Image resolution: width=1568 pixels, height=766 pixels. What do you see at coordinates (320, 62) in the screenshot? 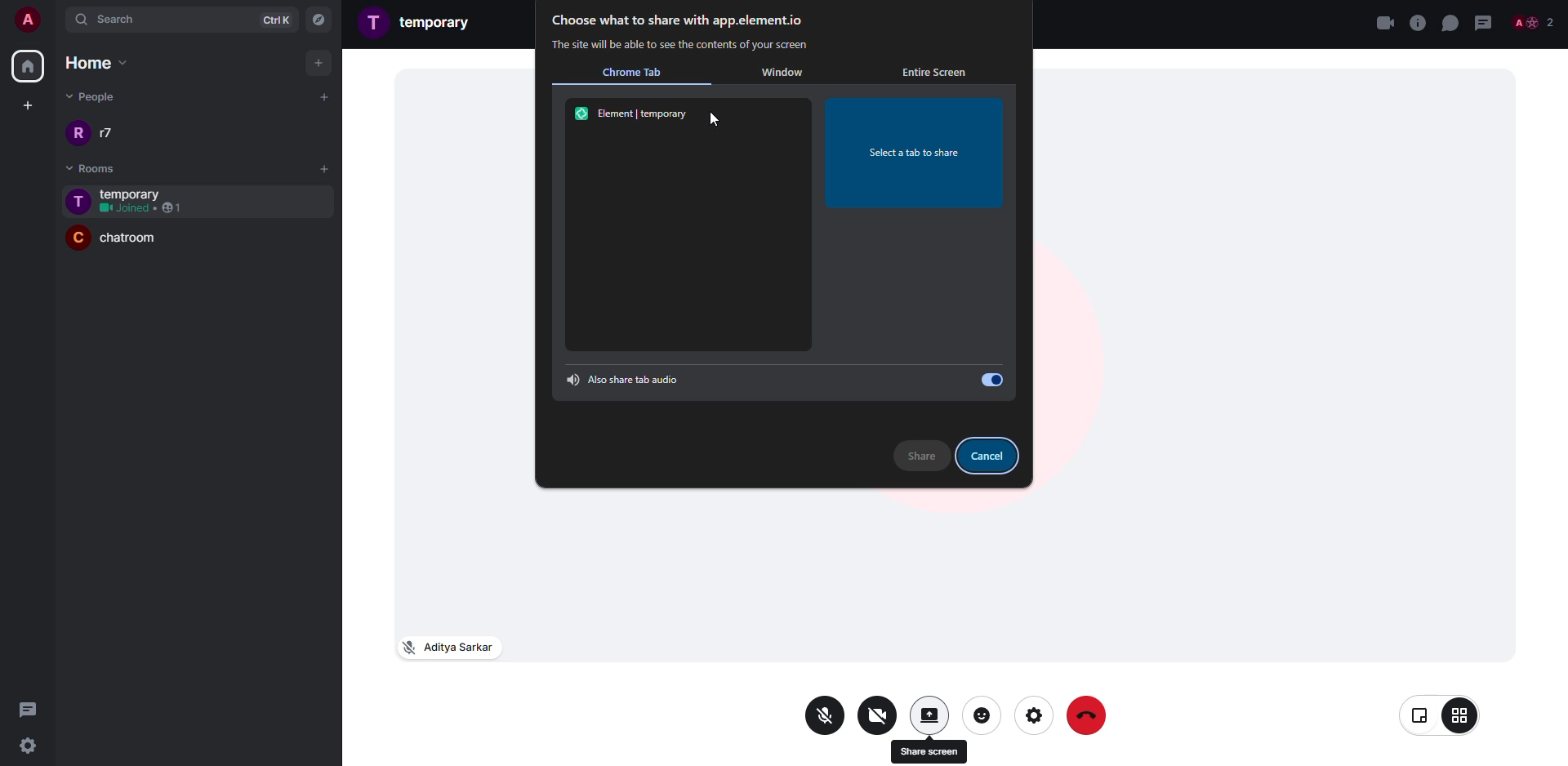
I see `add` at bounding box center [320, 62].